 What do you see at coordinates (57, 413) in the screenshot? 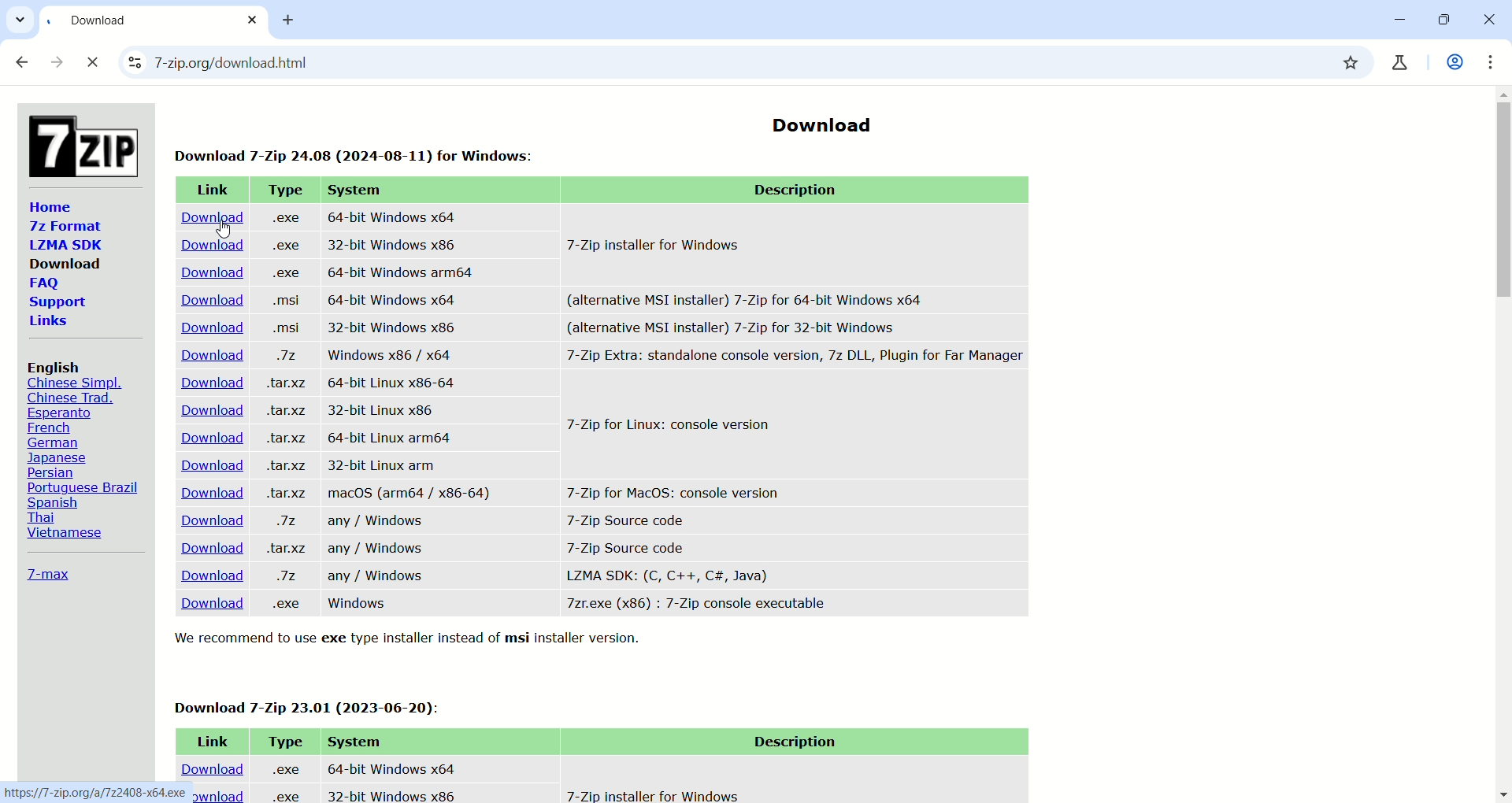
I see `Esperanto` at bounding box center [57, 413].